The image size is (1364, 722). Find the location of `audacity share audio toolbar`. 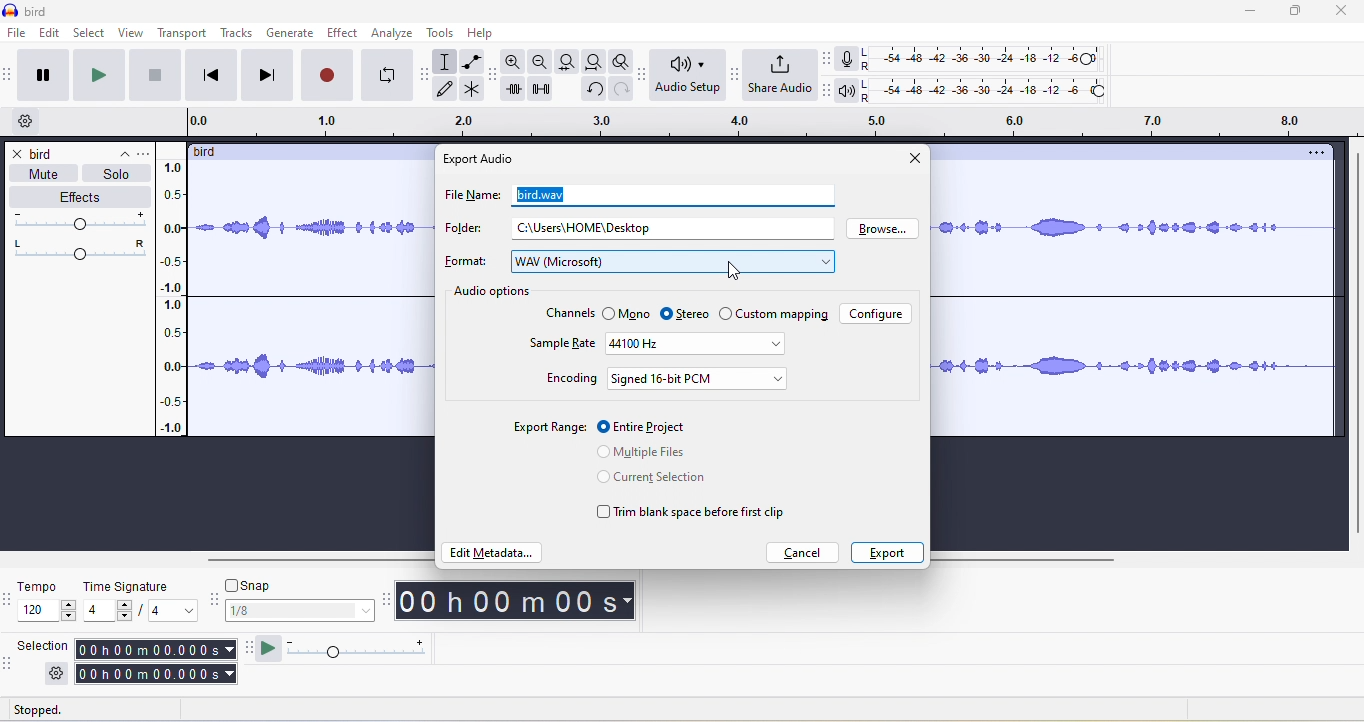

audacity share audio toolbar is located at coordinates (732, 76).